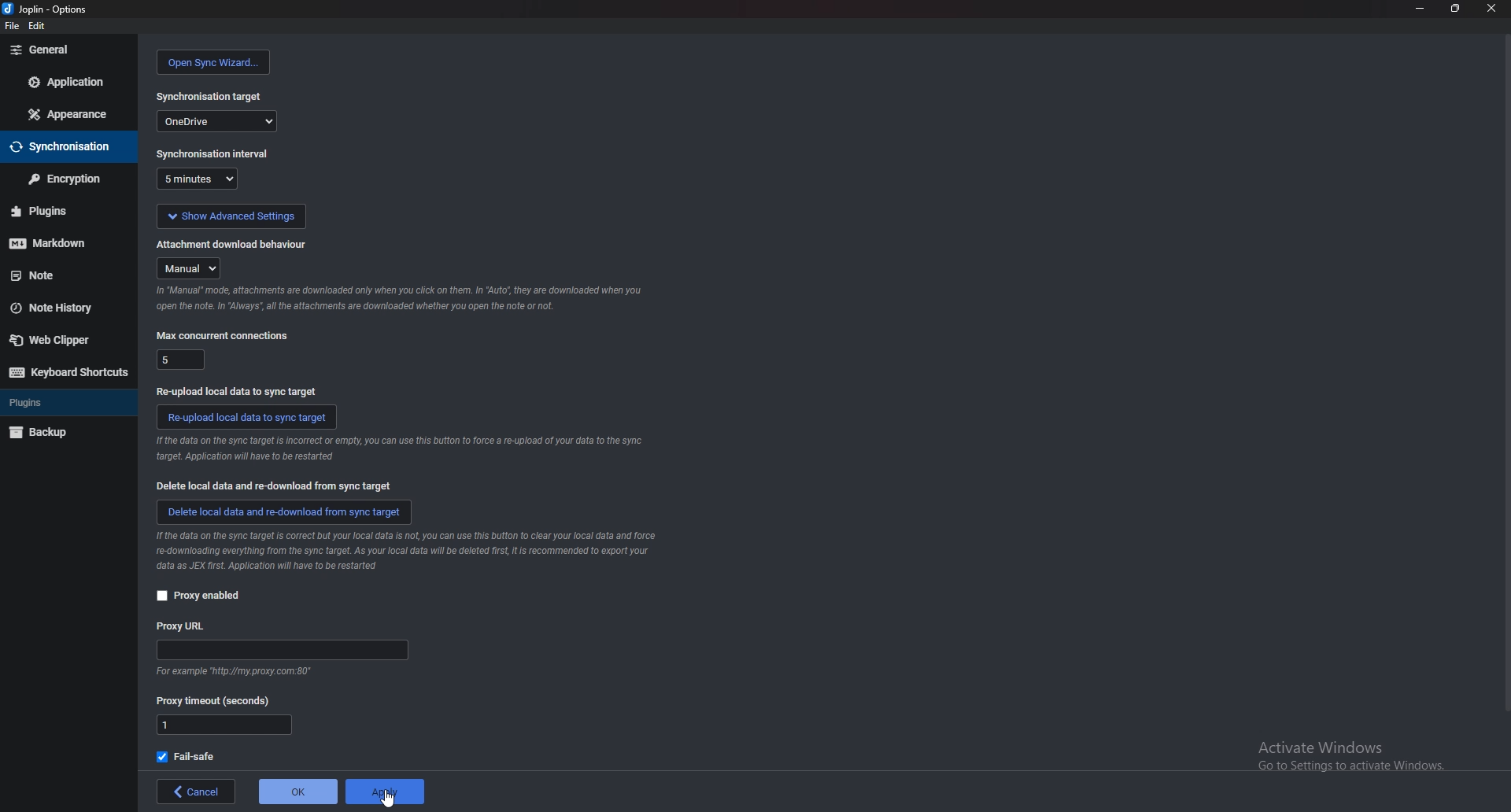  What do you see at coordinates (215, 153) in the screenshot?
I see `sync interval` at bounding box center [215, 153].